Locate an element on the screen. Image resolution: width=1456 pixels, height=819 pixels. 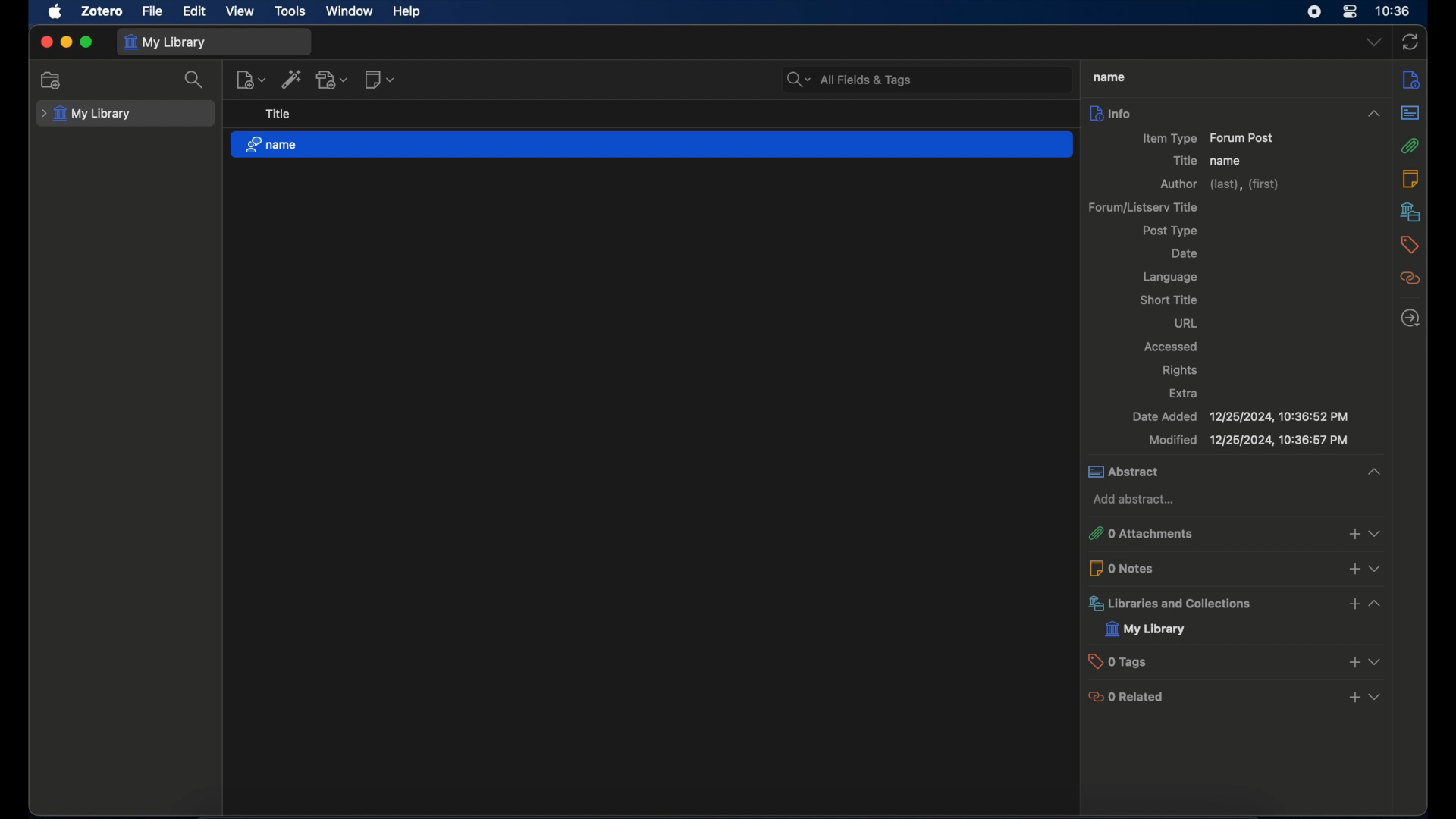
title is located at coordinates (1109, 77).